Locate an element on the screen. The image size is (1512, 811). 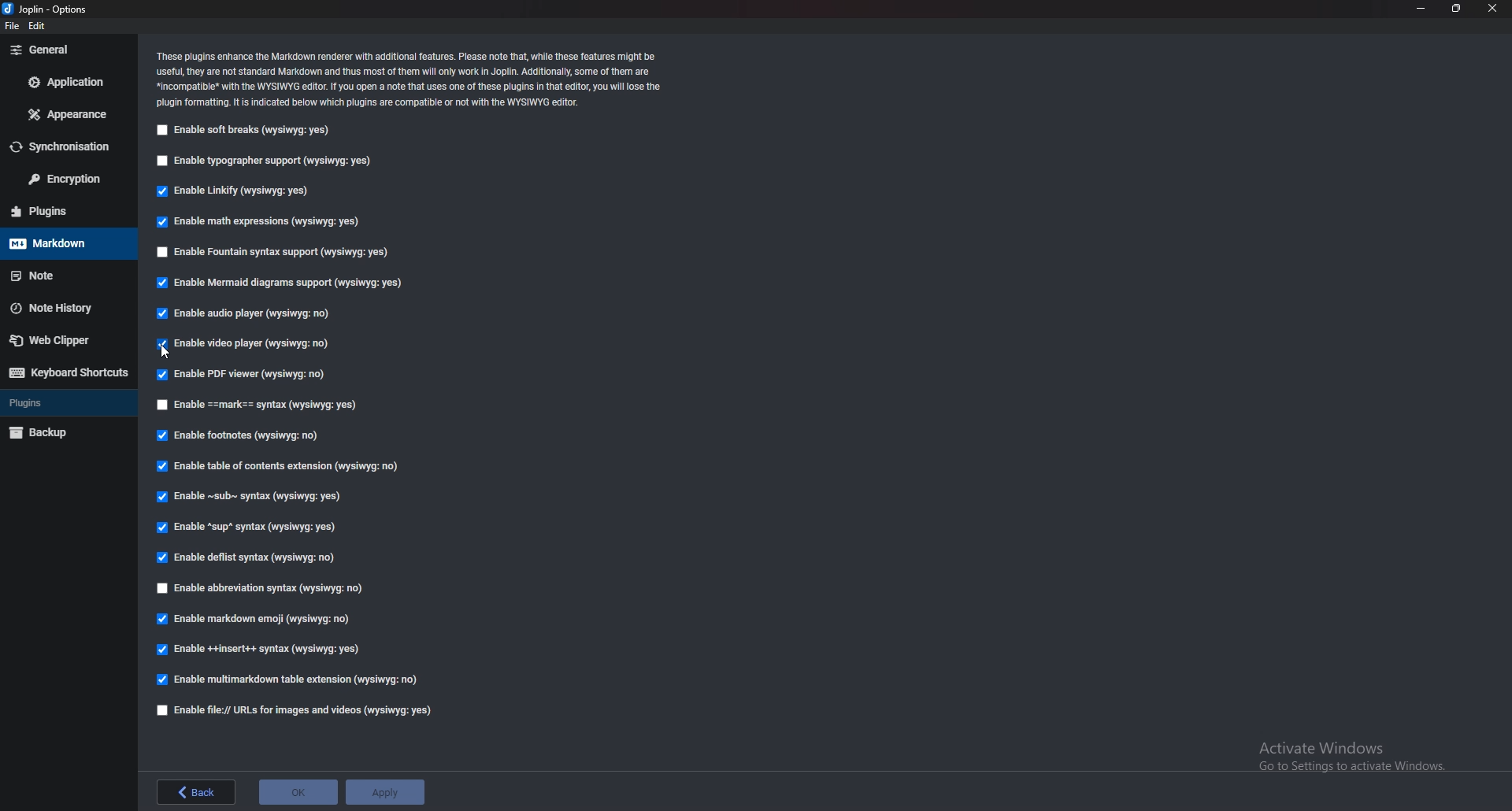
enable P D F viewer (wysiqyg:no) is located at coordinates (242, 376).